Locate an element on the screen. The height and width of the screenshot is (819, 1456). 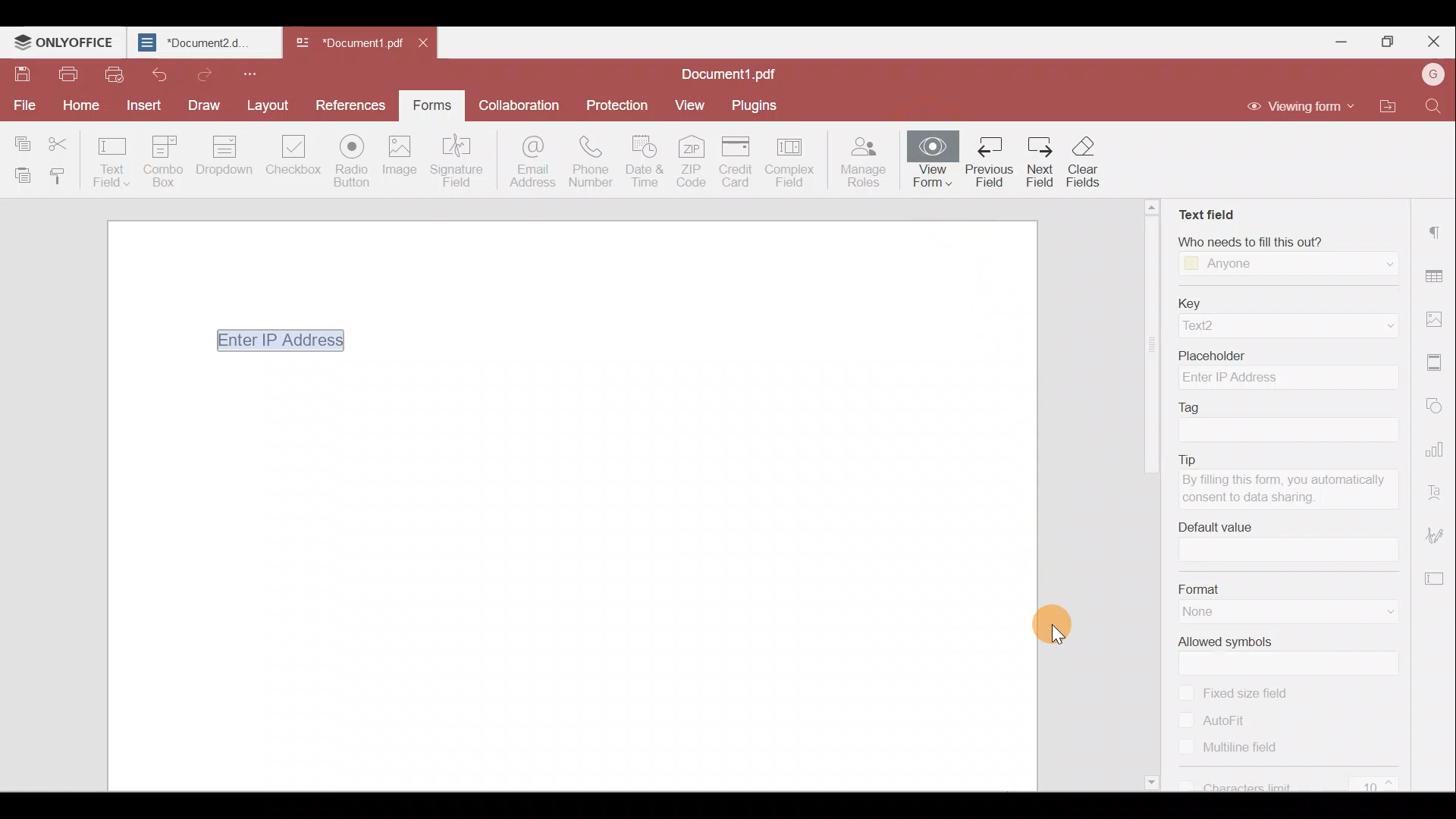
Tip is located at coordinates (1275, 457).